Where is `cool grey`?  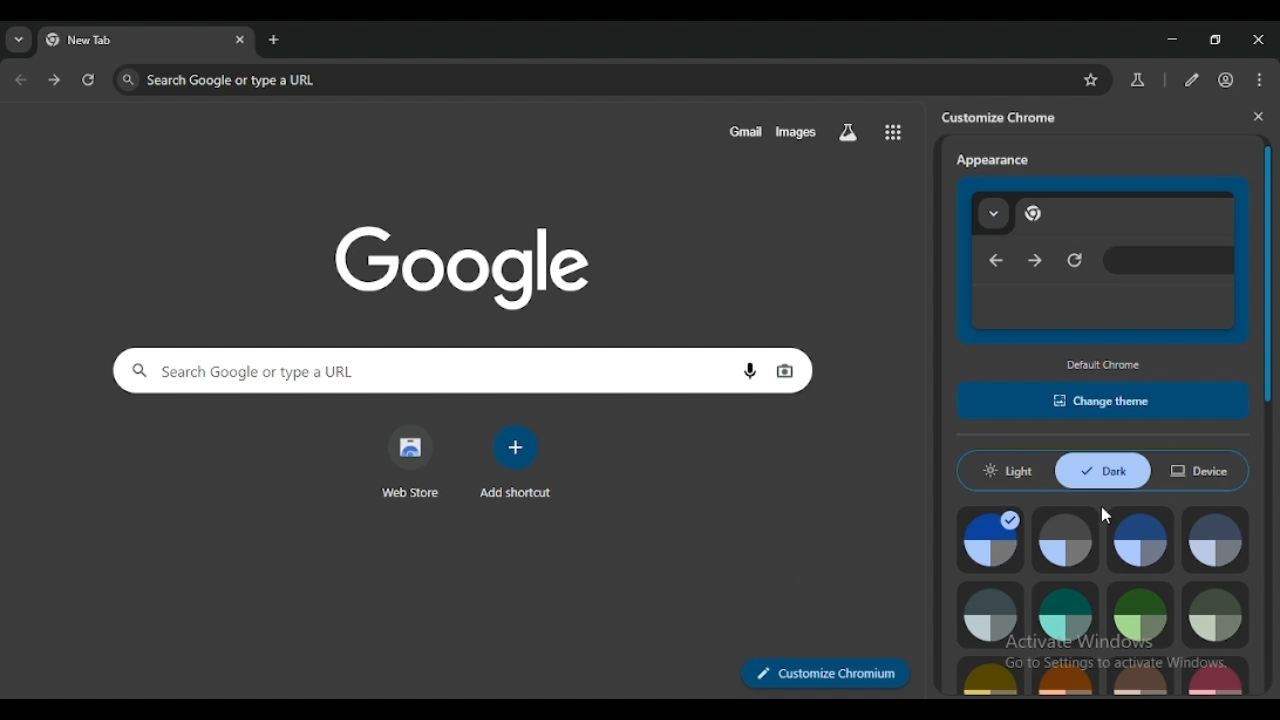
cool grey is located at coordinates (1217, 540).